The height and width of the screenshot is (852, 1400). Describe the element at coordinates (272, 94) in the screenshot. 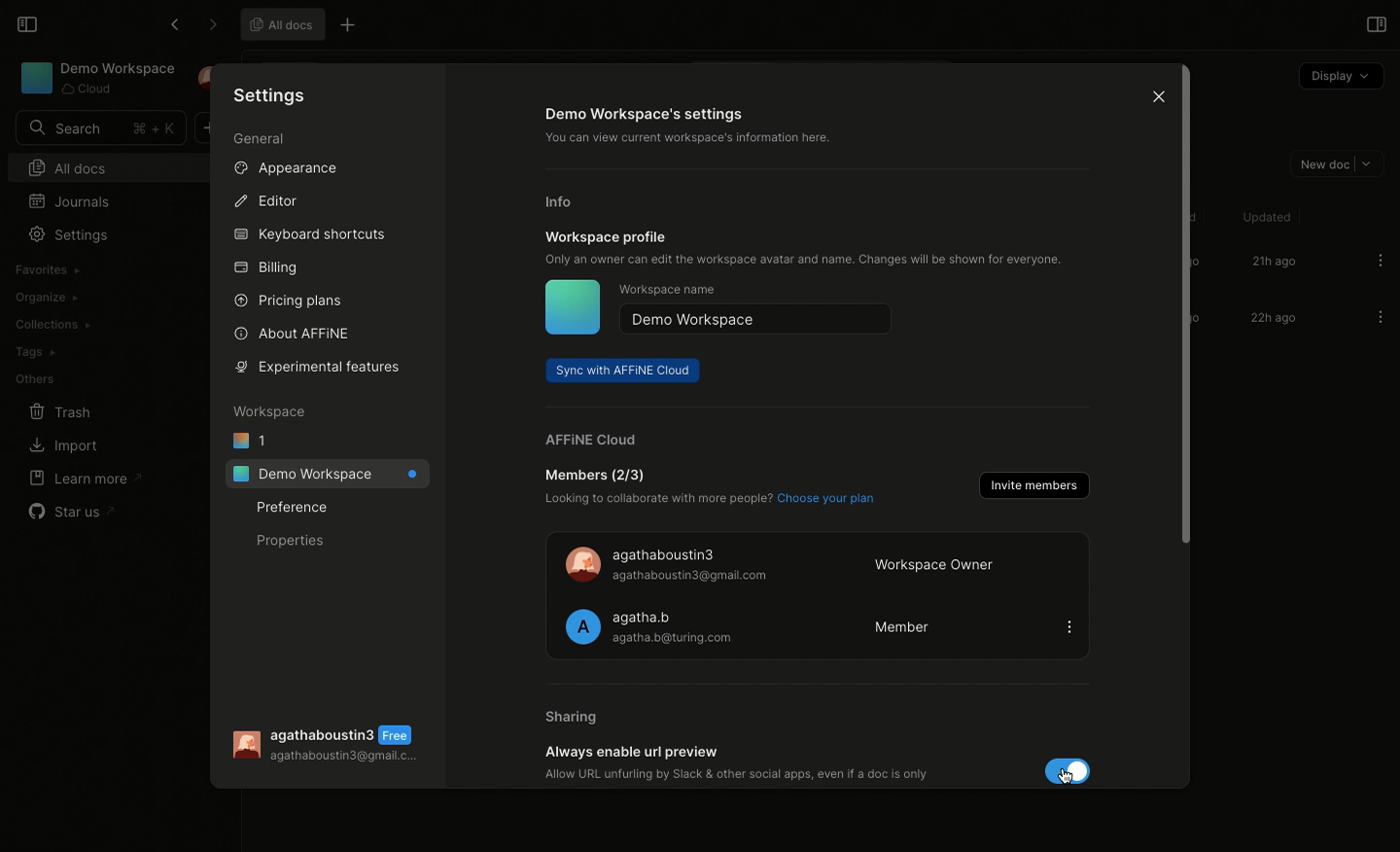

I see `Settings` at that location.